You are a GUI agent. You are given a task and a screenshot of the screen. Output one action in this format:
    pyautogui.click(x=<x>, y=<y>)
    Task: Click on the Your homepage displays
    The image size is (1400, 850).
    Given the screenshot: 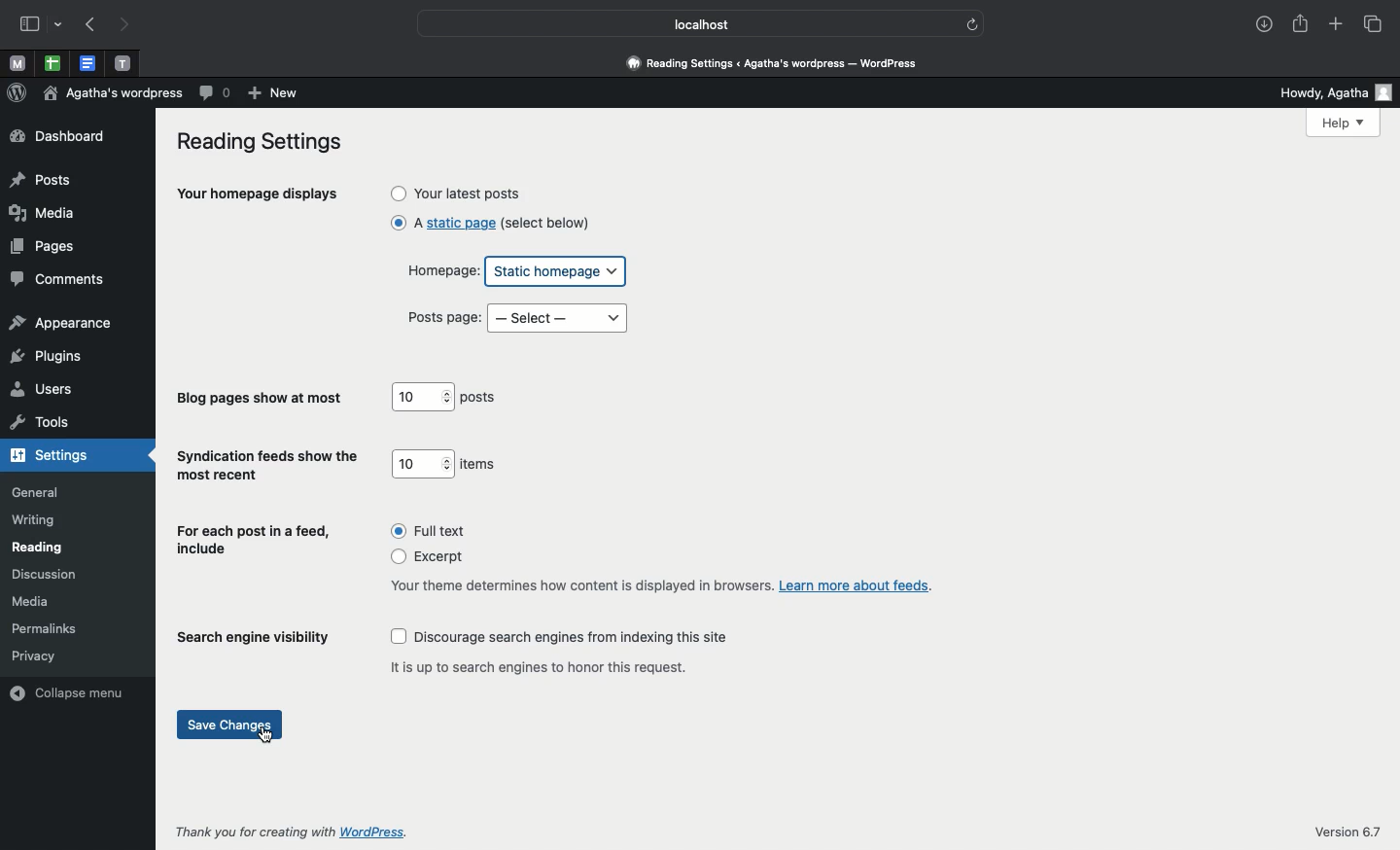 What is the action you would take?
    pyautogui.click(x=259, y=196)
    